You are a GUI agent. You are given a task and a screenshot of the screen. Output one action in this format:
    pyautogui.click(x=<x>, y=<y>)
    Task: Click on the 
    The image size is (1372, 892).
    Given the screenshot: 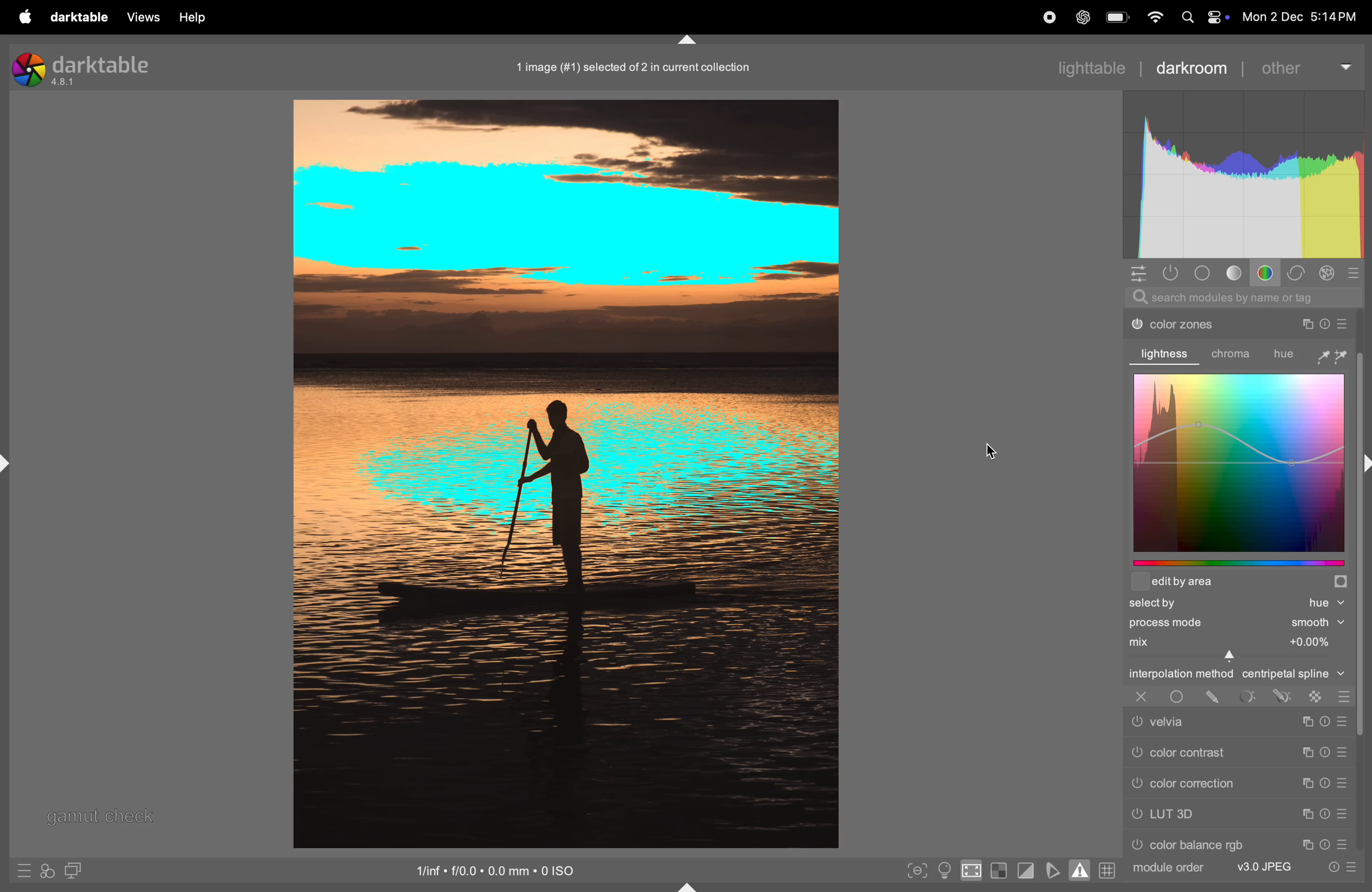 What is the action you would take?
    pyautogui.click(x=1140, y=271)
    